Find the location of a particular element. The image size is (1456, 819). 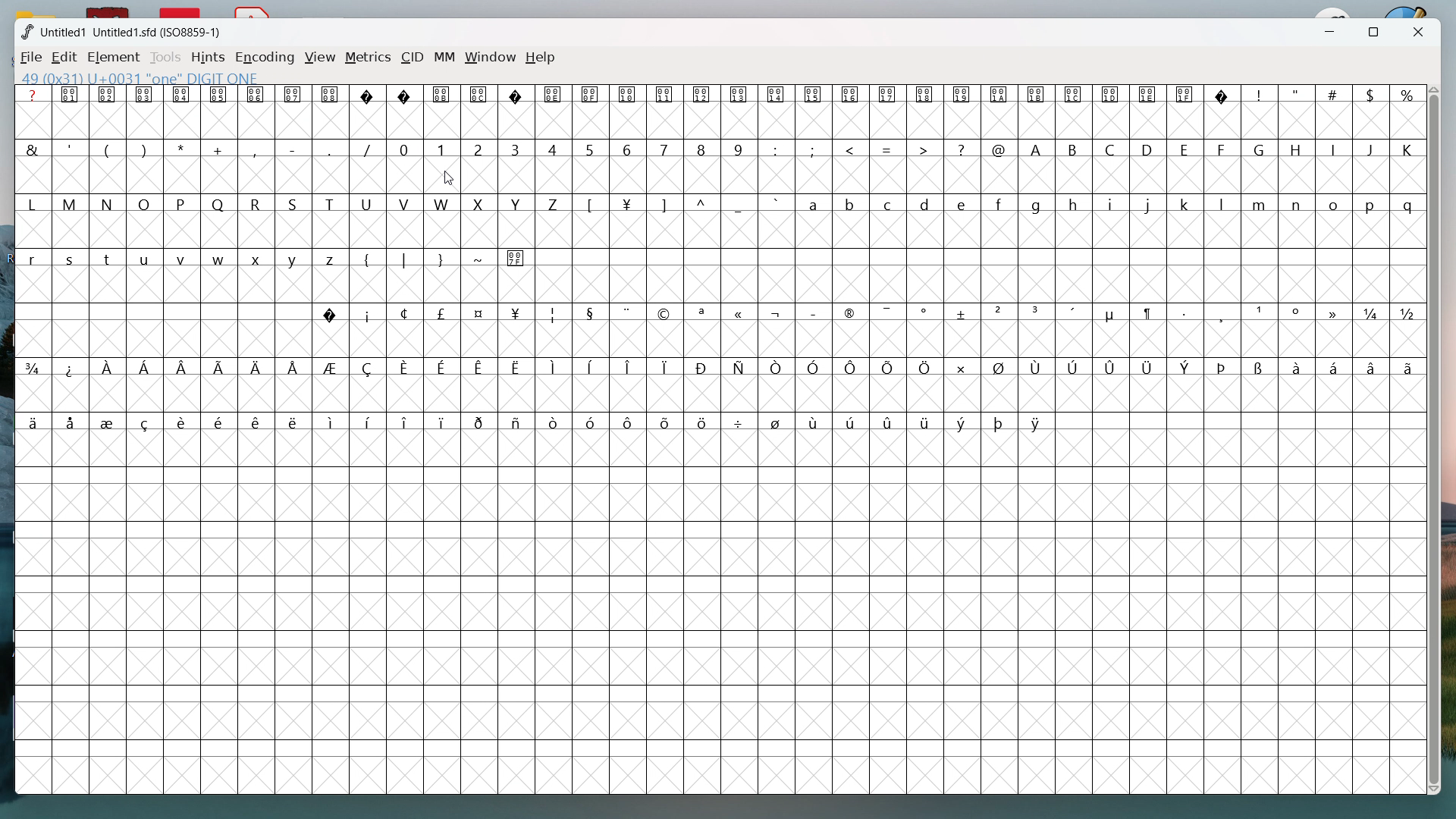

symbol is located at coordinates (1264, 313).